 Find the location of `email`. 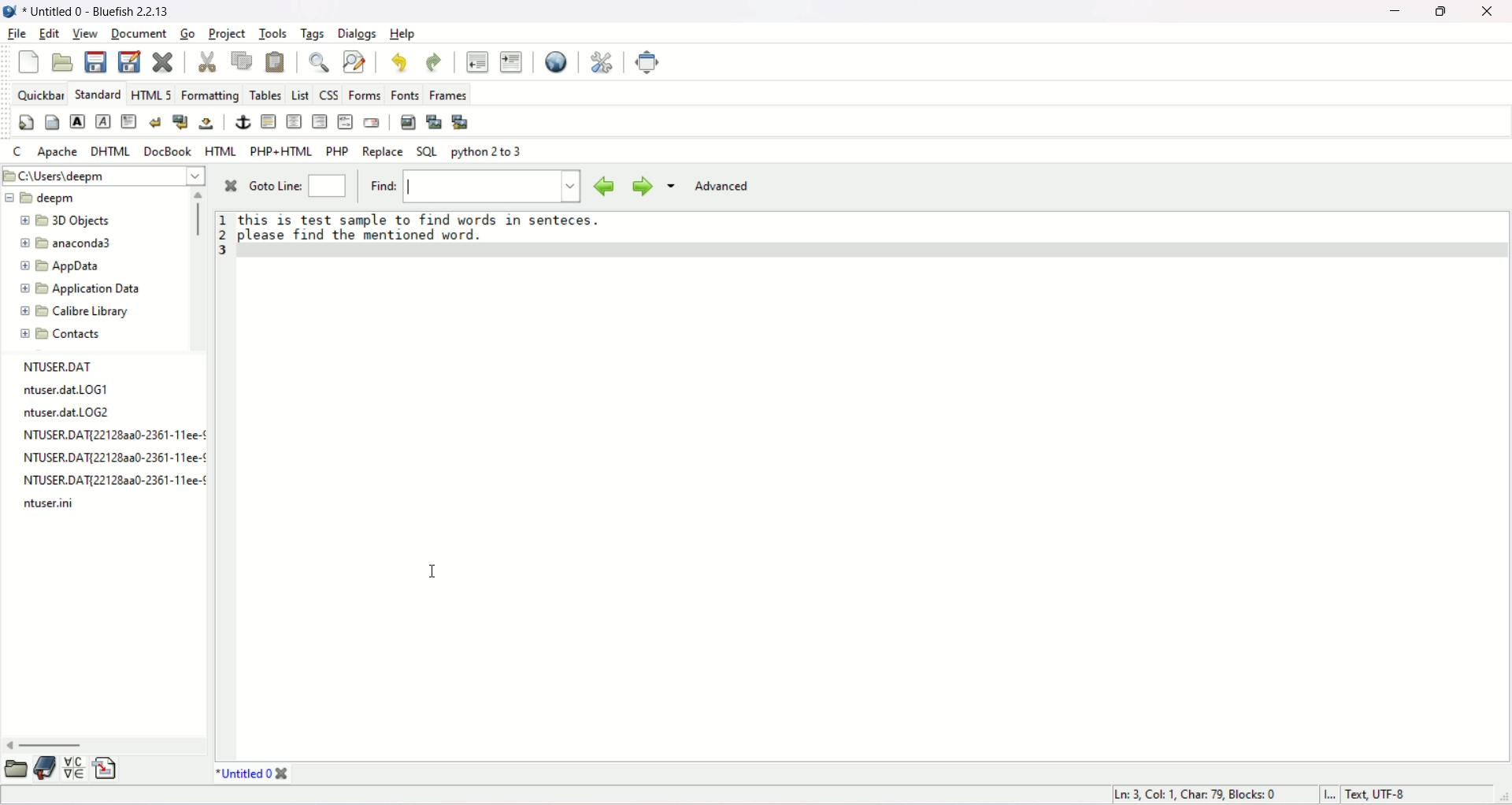

email is located at coordinates (370, 121).